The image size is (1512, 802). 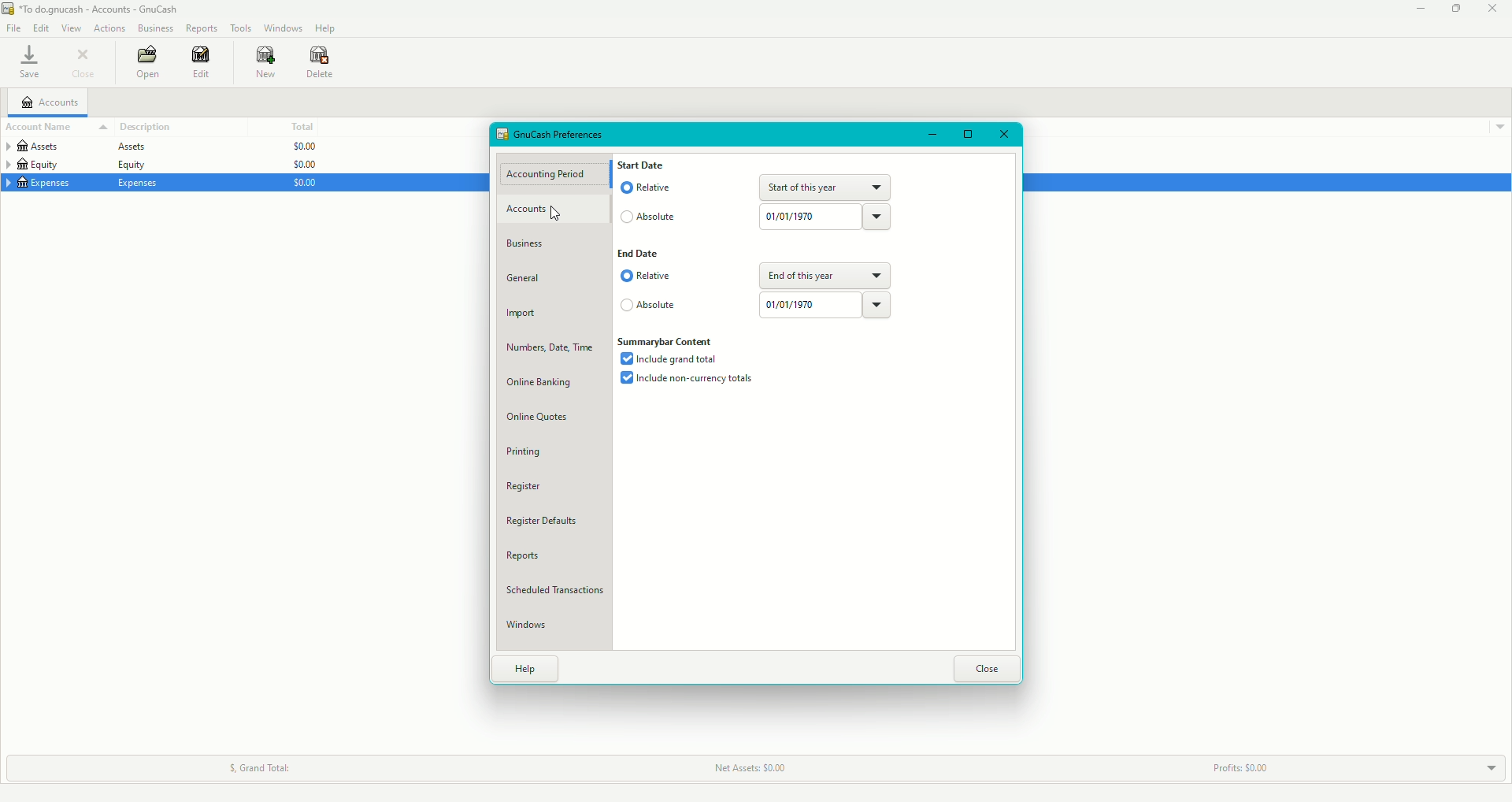 I want to click on Save, so click(x=30, y=61).